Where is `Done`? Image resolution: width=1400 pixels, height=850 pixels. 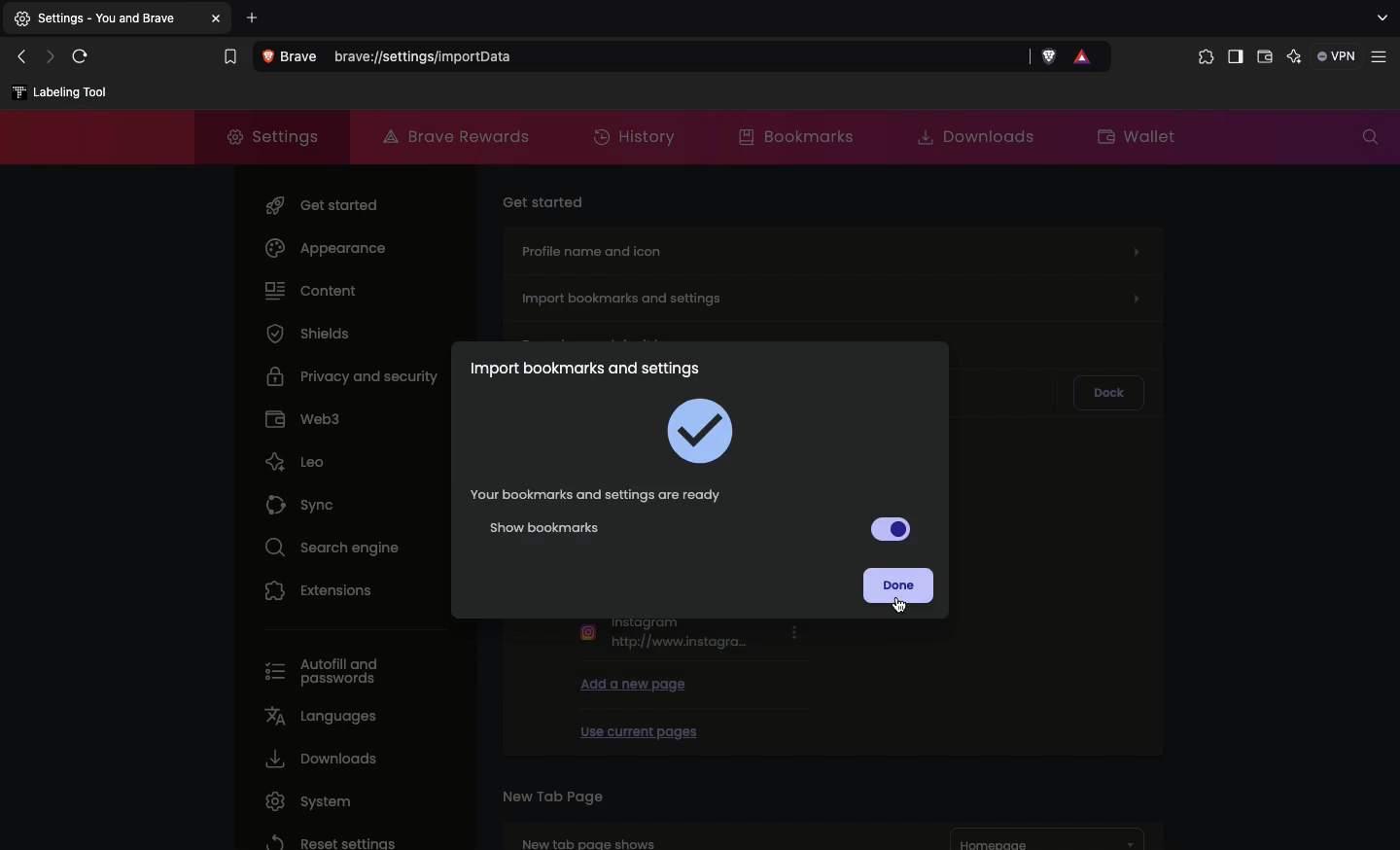 Done is located at coordinates (900, 585).